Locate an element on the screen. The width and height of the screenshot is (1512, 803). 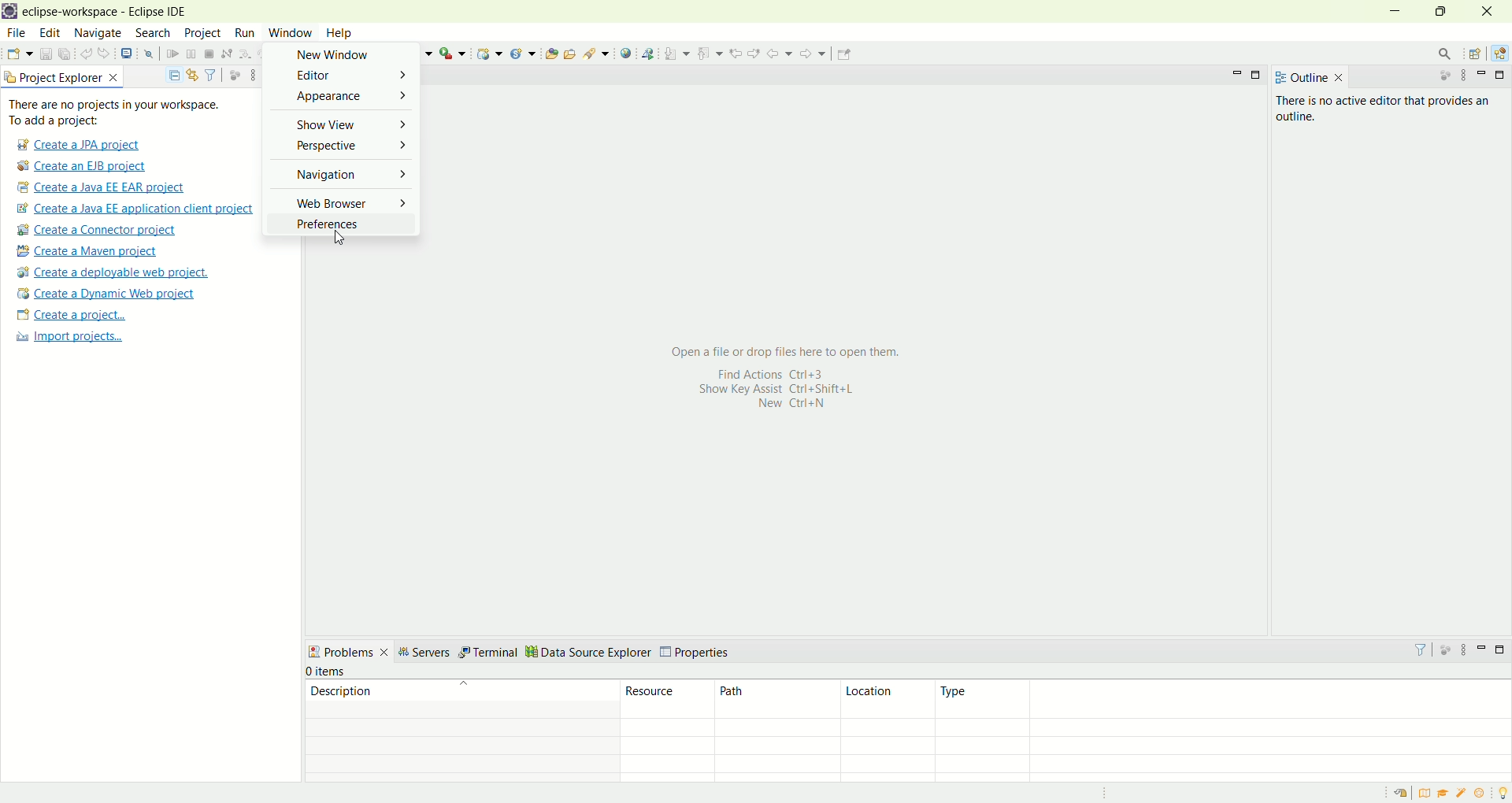
create a deployable web project is located at coordinates (113, 273).